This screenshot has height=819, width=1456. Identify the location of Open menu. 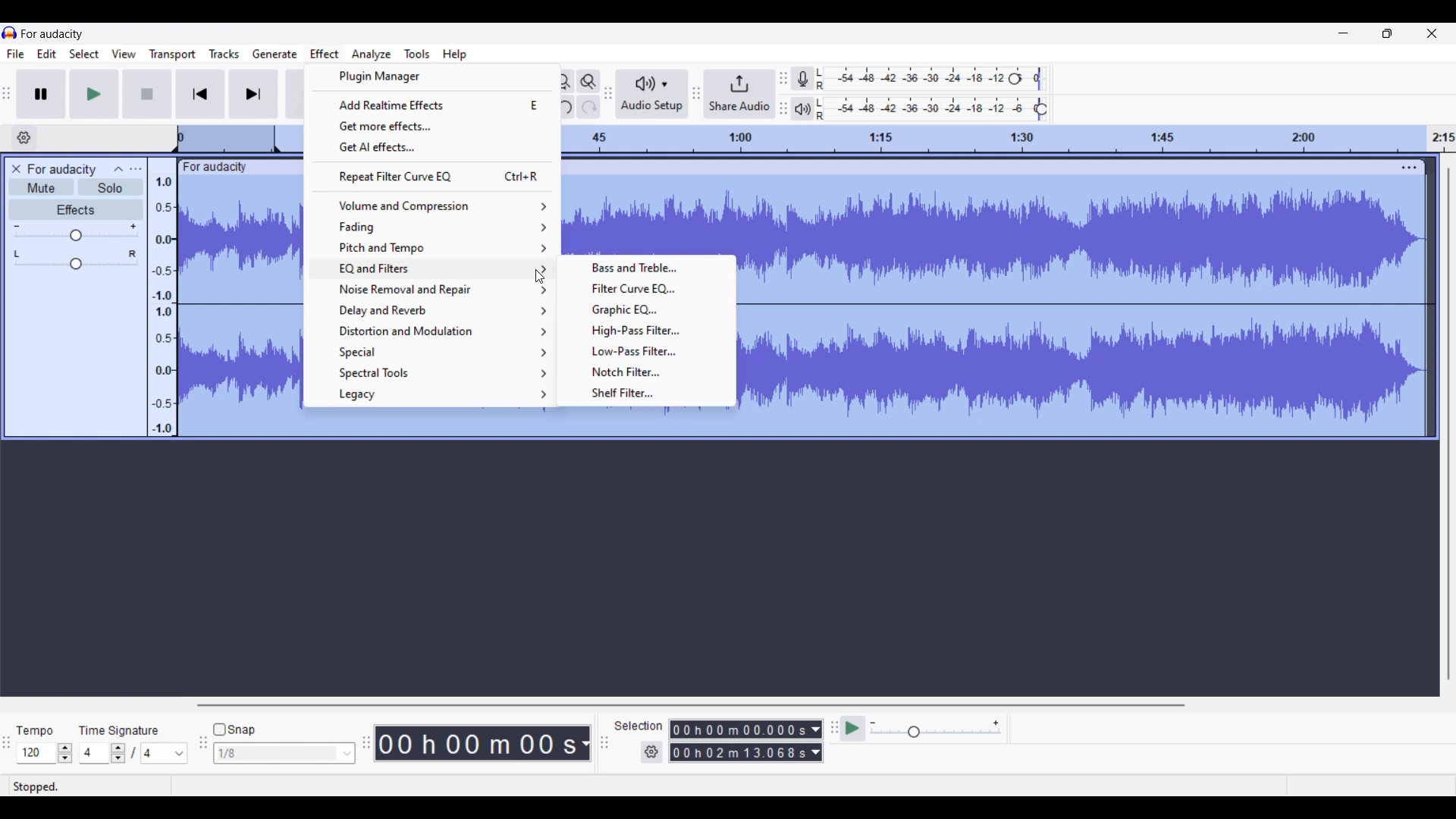
(135, 168).